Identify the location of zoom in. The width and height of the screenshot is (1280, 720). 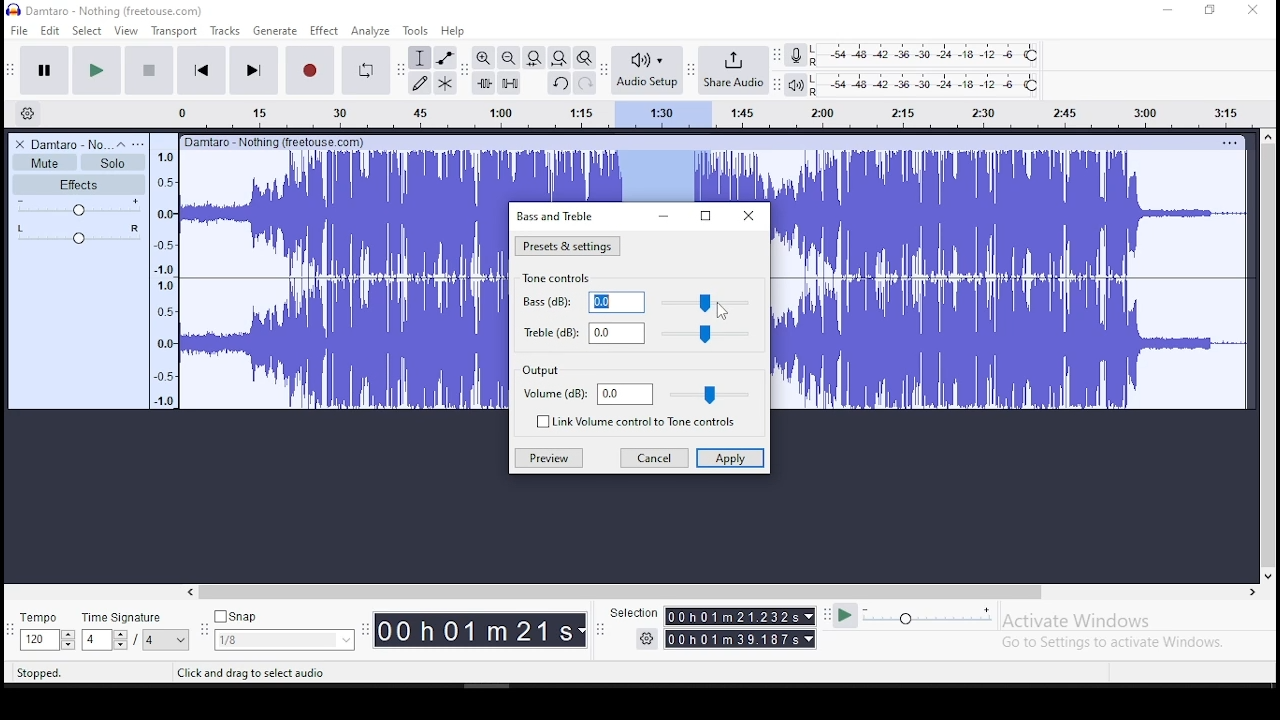
(484, 57).